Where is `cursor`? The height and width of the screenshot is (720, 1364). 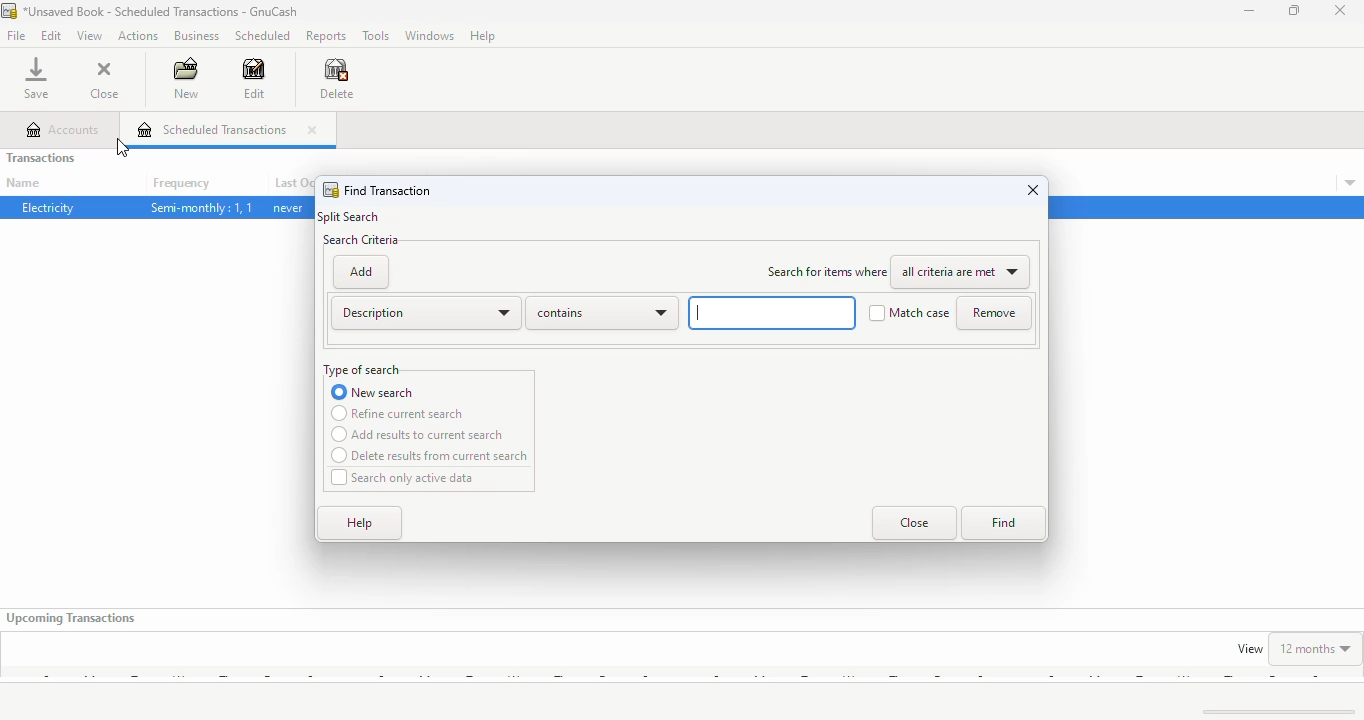
cursor is located at coordinates (120, 149).